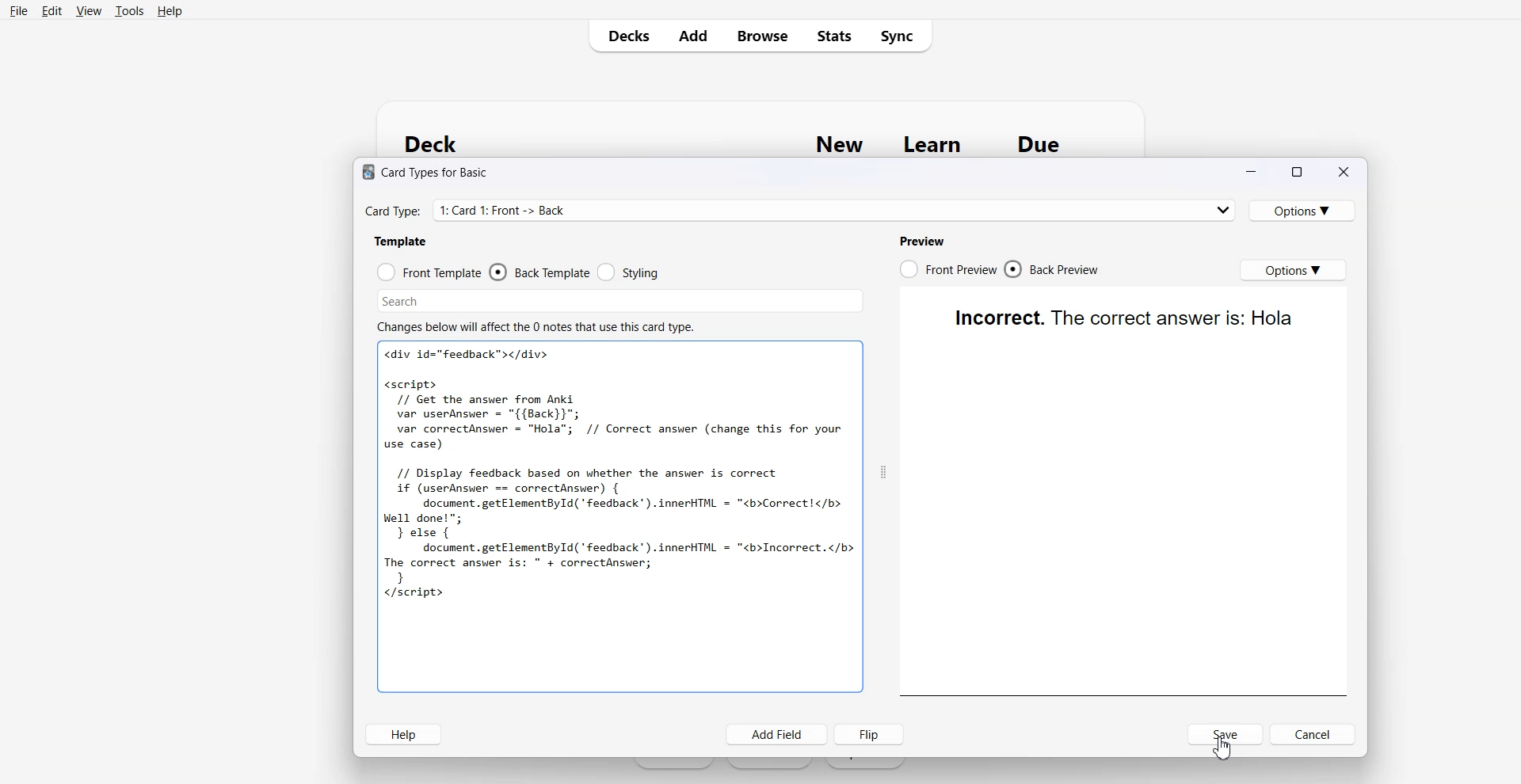 The image size is (1521, 784). I want to click on Searcj bar, so click(534, 298).